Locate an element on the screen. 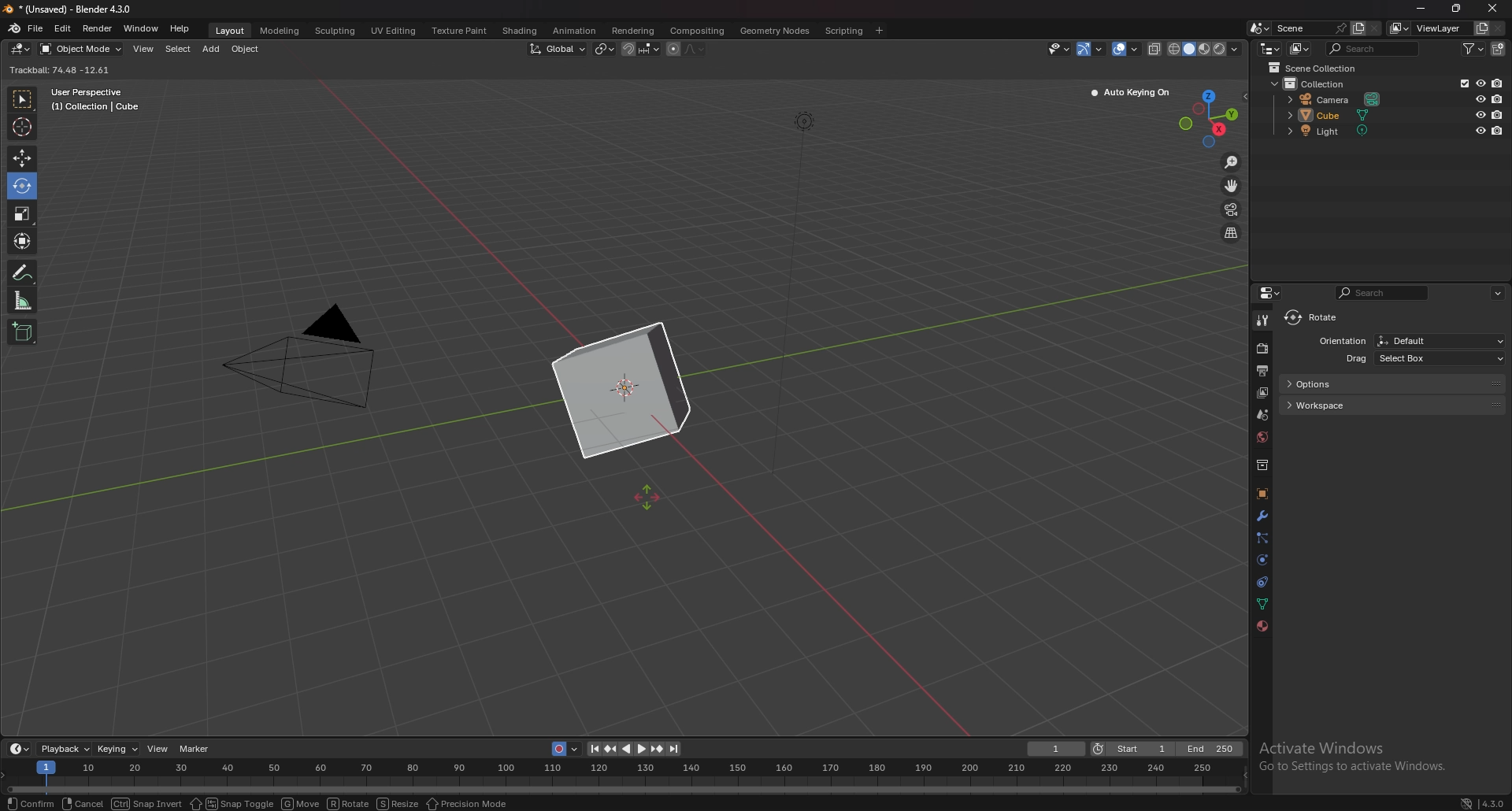 The width and height of the screenshot is (1512, 811). View is located at coordinates (157, 749).